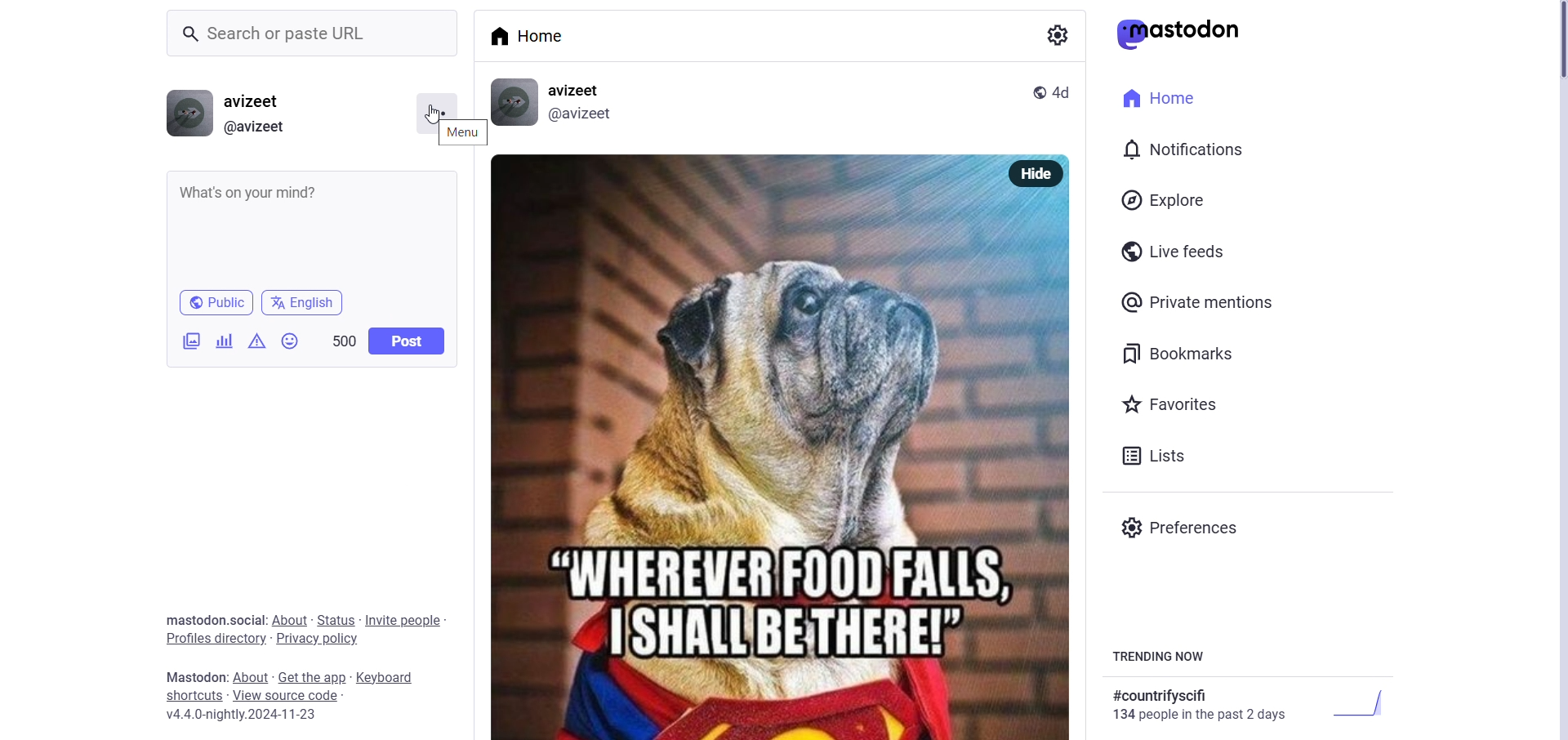 This screenshot has width=1568, height=740. Describe the element at coordinates (318, 639) in the screenshot. I see `privacy oplicy` at that location.